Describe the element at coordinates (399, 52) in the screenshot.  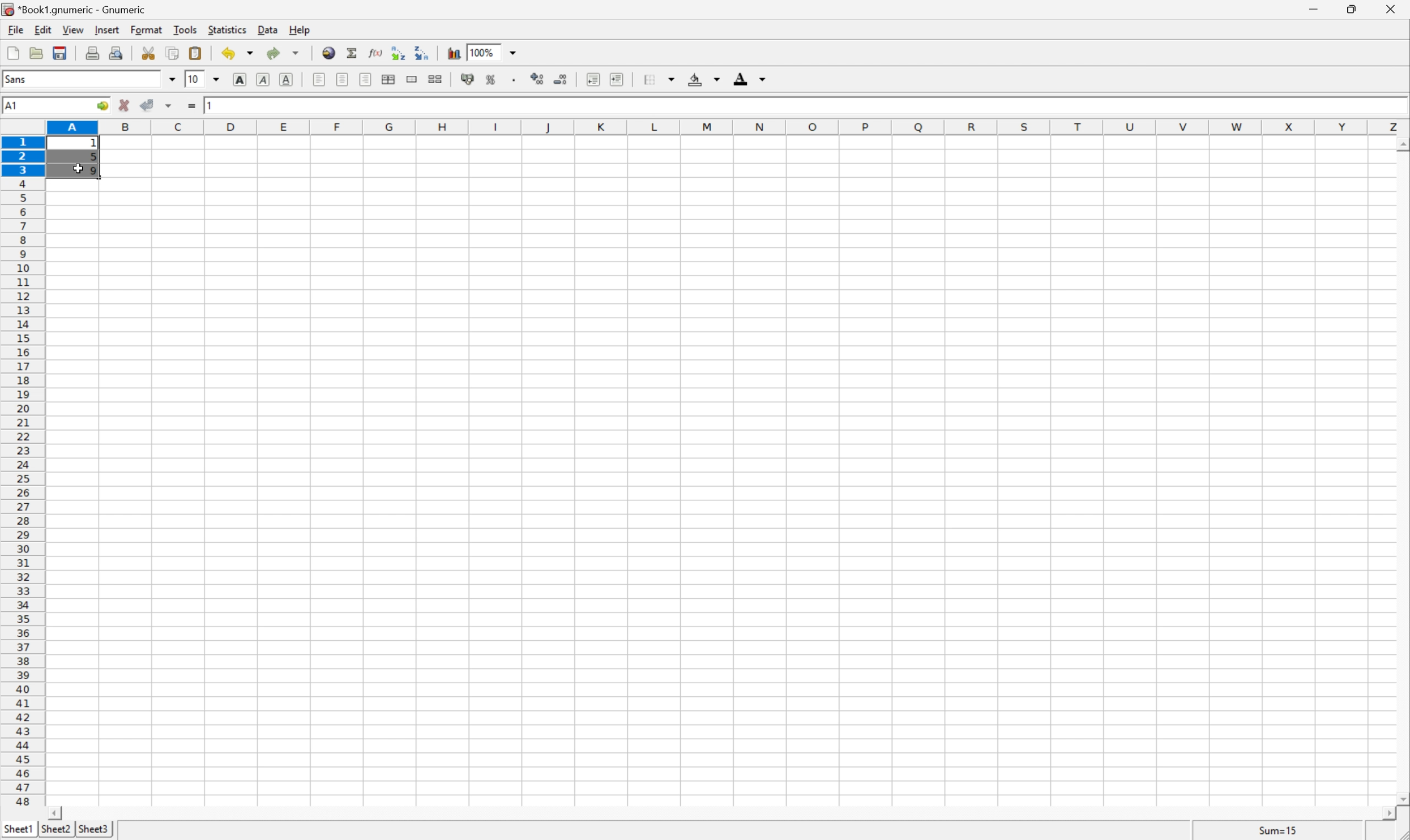
I see `Sort the selected region in ascending order based on the first column selected` at that location.